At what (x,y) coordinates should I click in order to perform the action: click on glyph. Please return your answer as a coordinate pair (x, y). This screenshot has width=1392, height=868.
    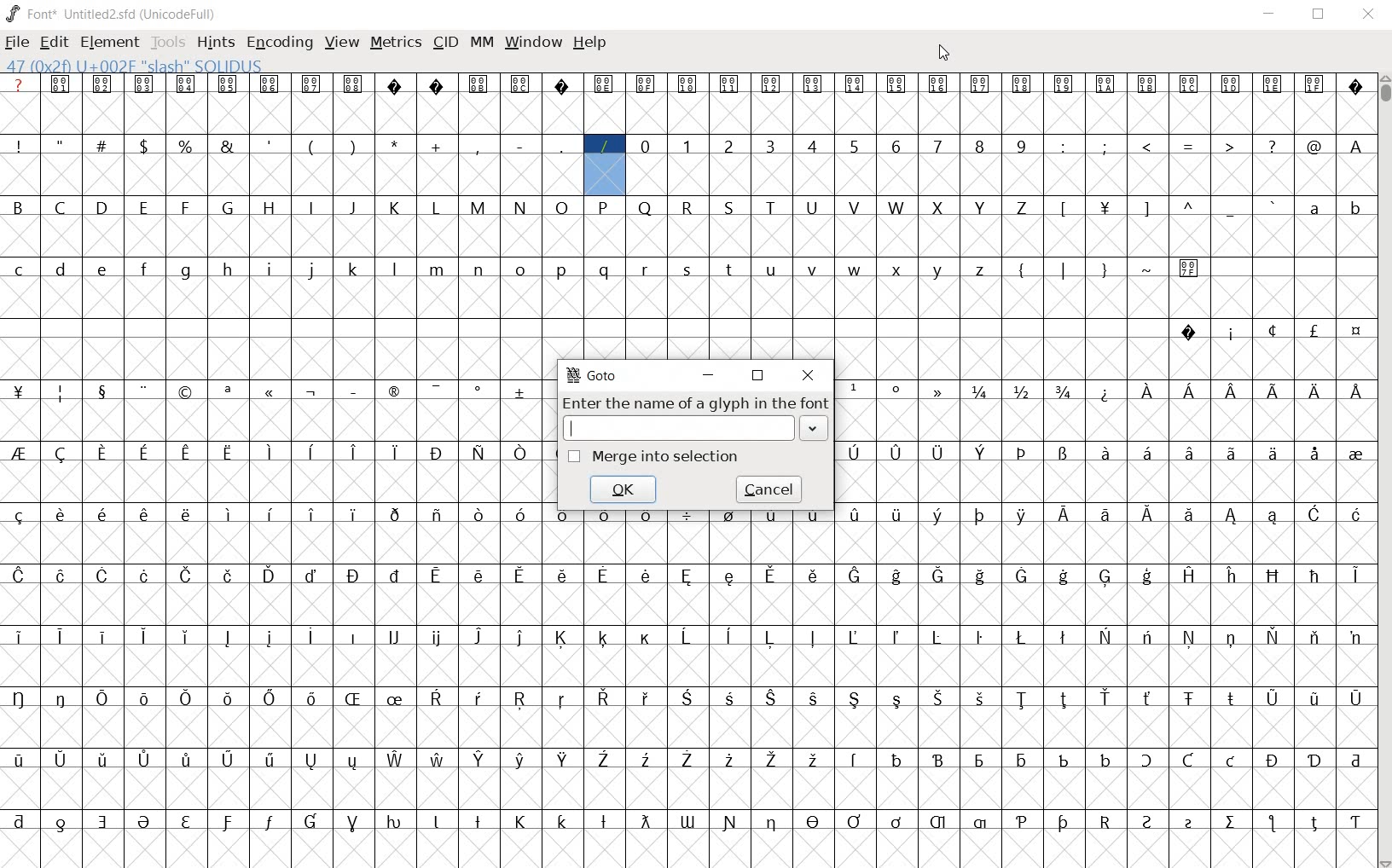
    Looking at the image, I should click on (564, 759).